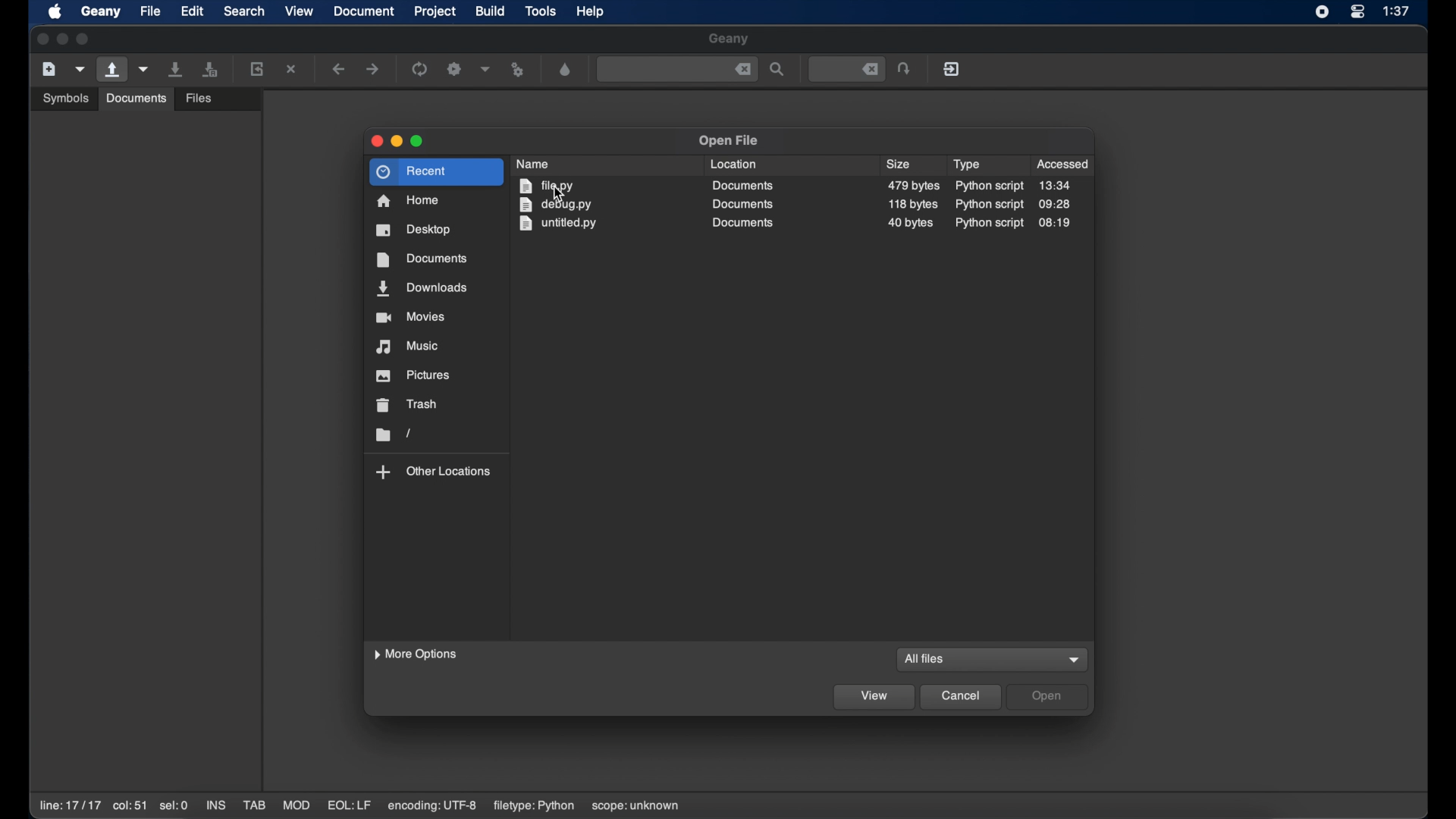  What do you see at coordinates (778, 70) in the screenshot?
I see `find the entered text in the current file` at bounding box center [778, 70].